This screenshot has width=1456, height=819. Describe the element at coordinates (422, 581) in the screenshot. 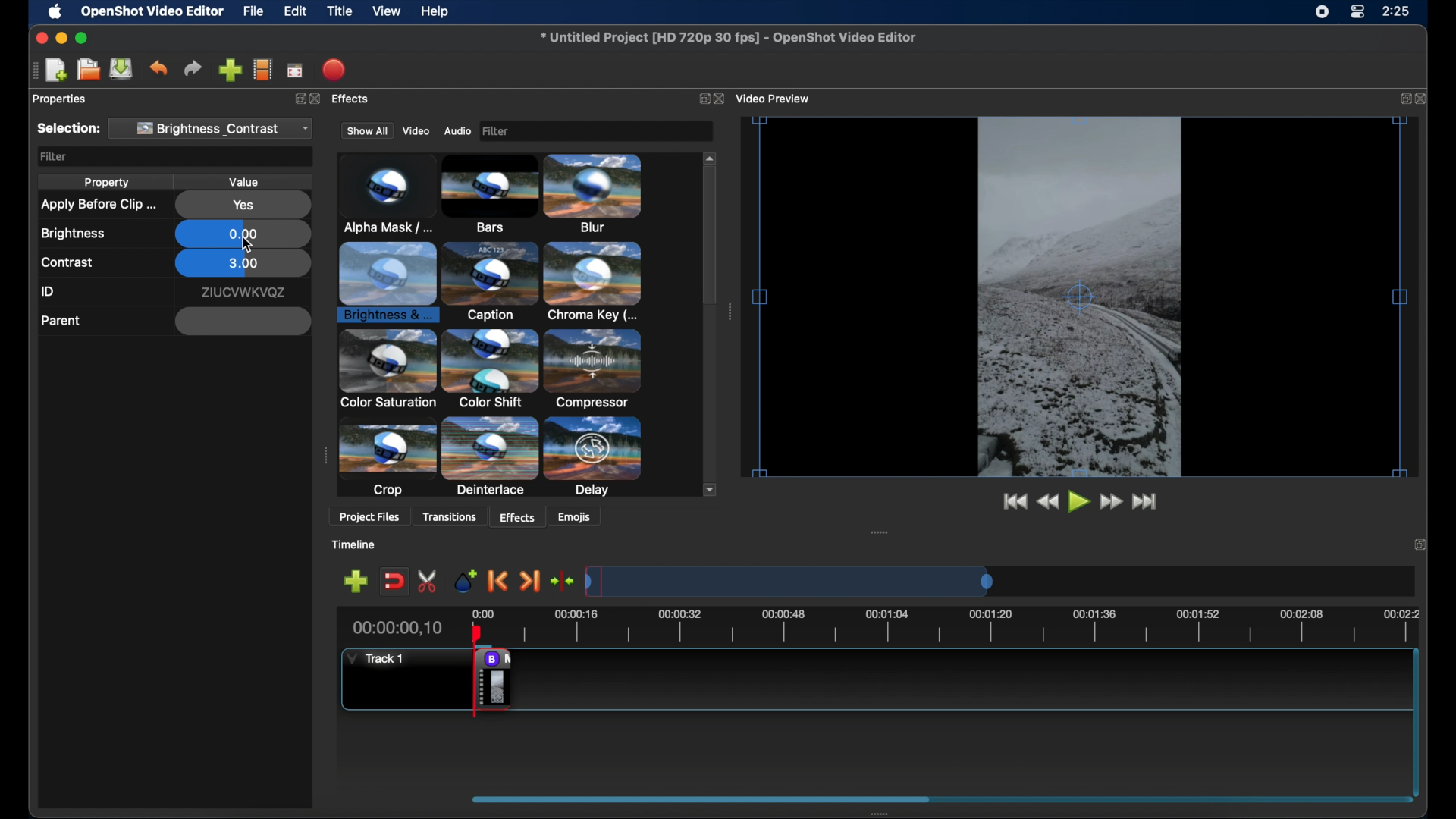

I see `enable razor` at that location.